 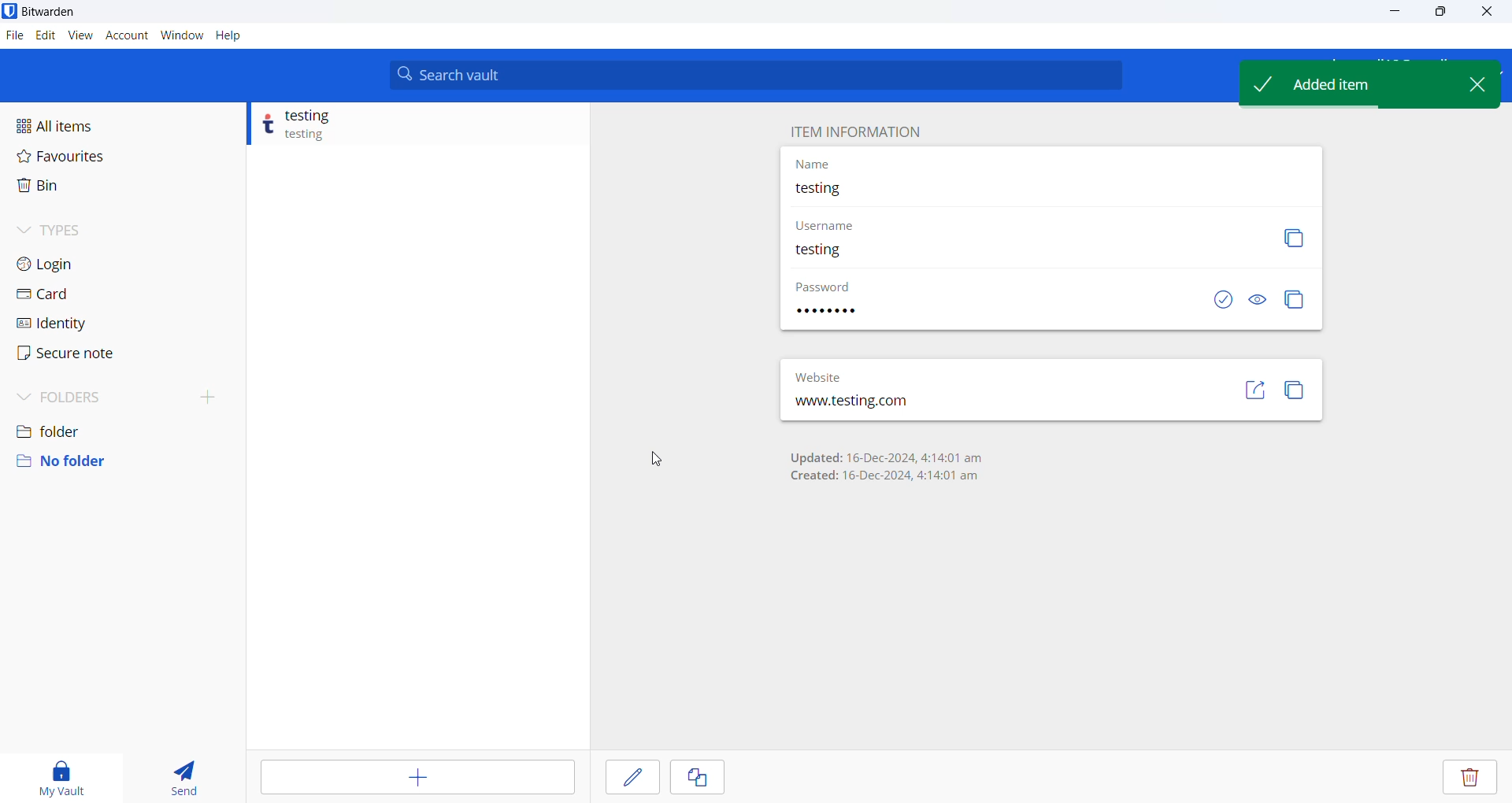 What do you see at coordinates (87, 231) in the screenshot?
I see `types` at bounding box center [87, 231].